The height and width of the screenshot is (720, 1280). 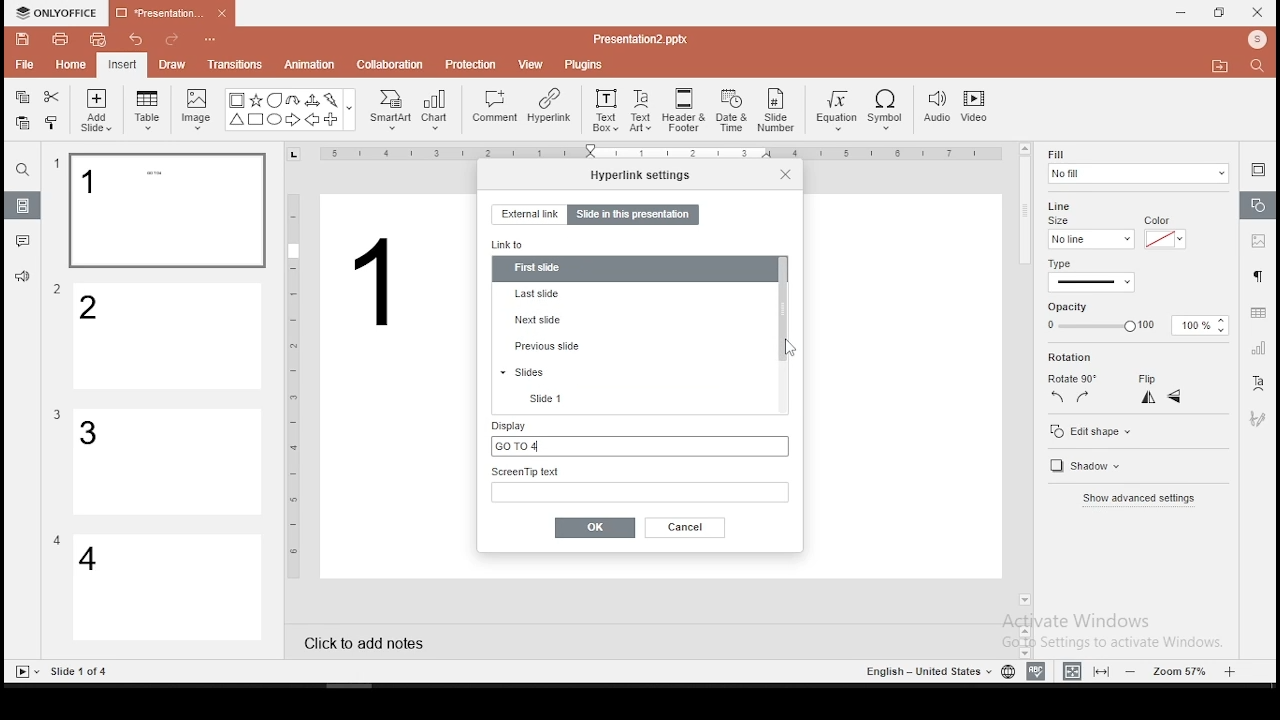 What do you see at coordinates (1137, 501) in the screenshot?
I see `show advanced settings` at bounding box center [1137, 501].